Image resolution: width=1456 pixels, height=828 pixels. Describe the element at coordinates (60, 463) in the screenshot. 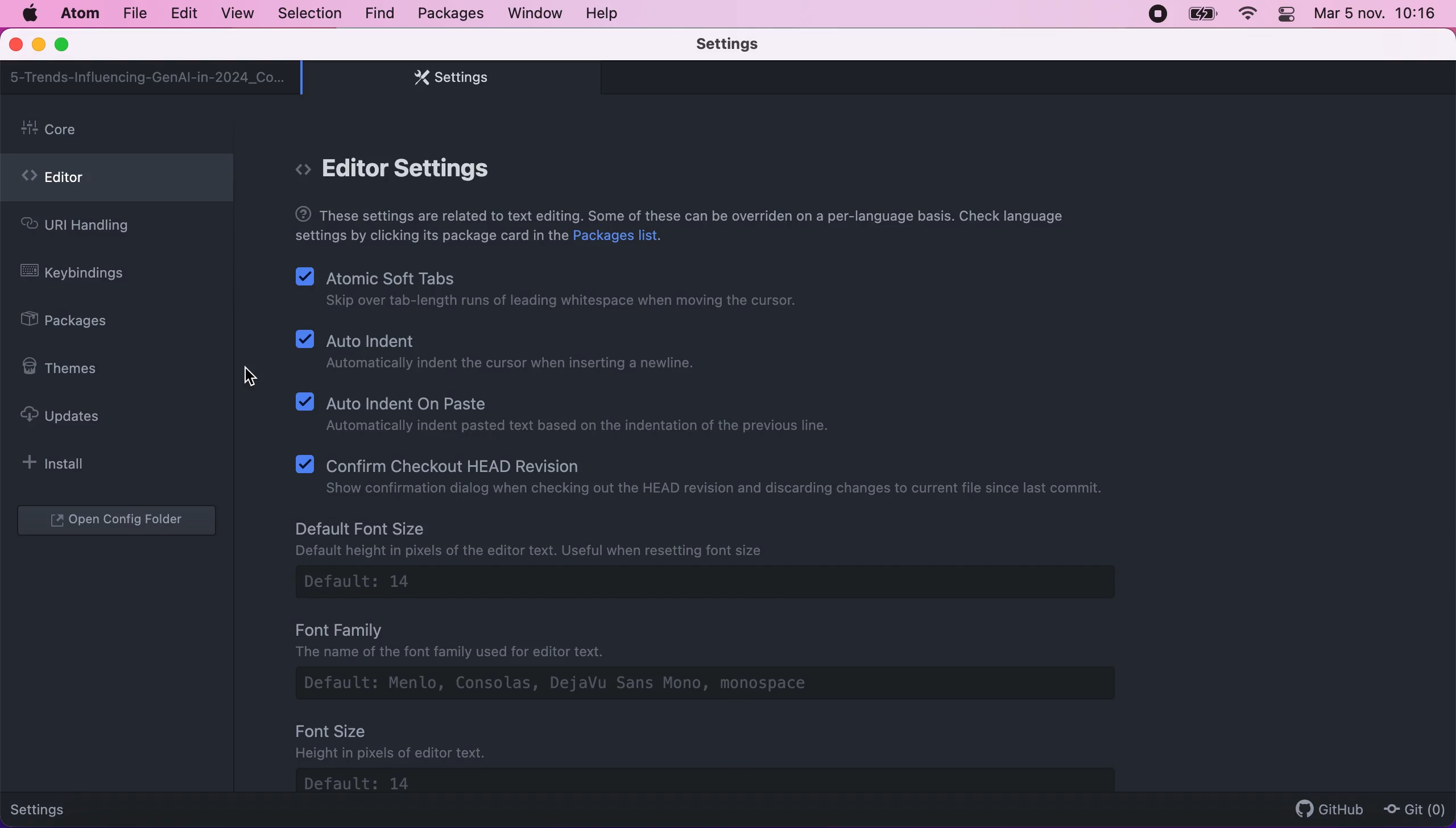

I see `install` at that location.